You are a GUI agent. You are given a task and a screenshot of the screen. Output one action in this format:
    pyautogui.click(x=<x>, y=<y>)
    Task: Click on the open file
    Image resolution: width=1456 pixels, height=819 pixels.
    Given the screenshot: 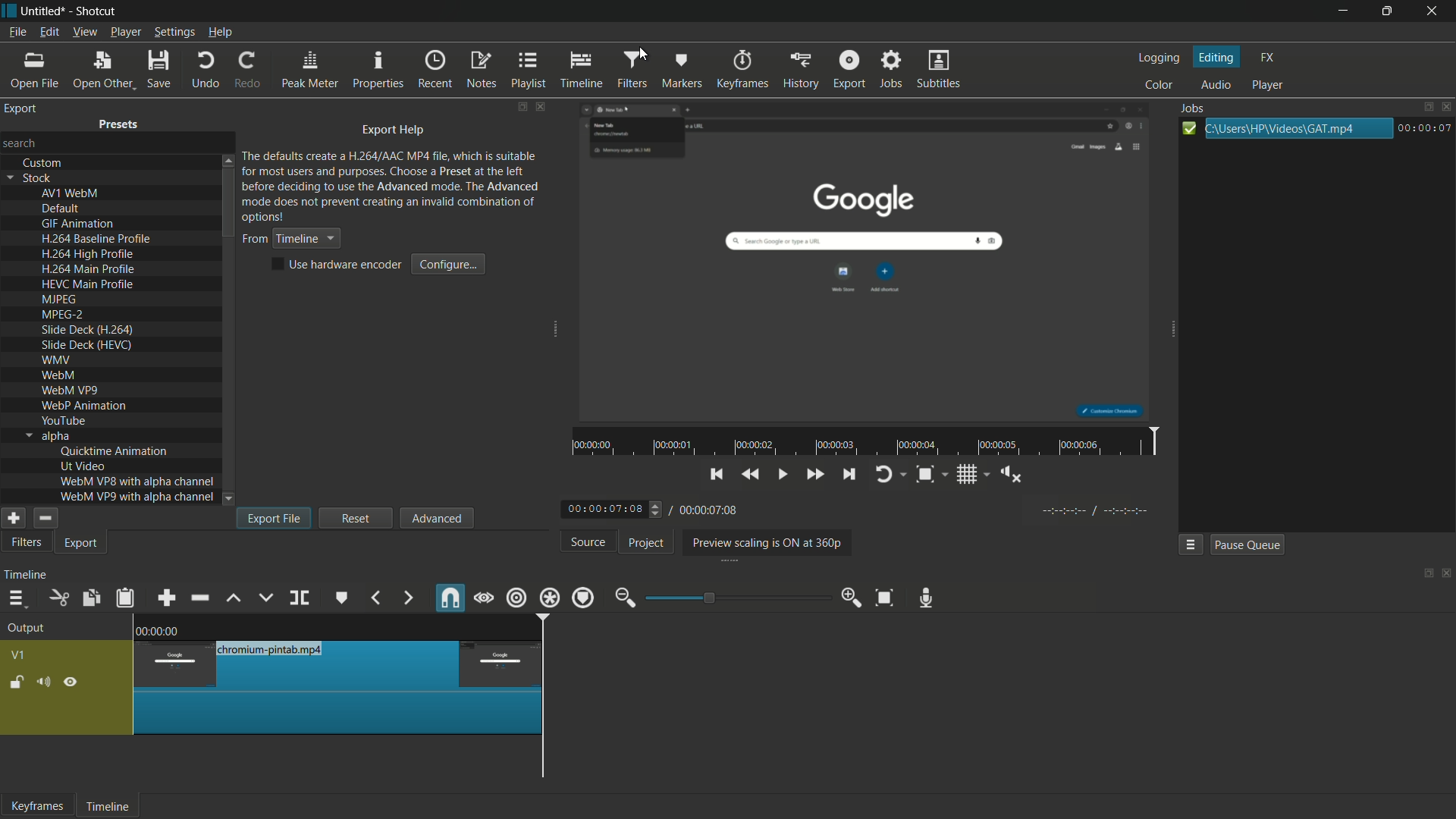 What is the action you would take?
    pyautogui.click(x=32, y=70)
    